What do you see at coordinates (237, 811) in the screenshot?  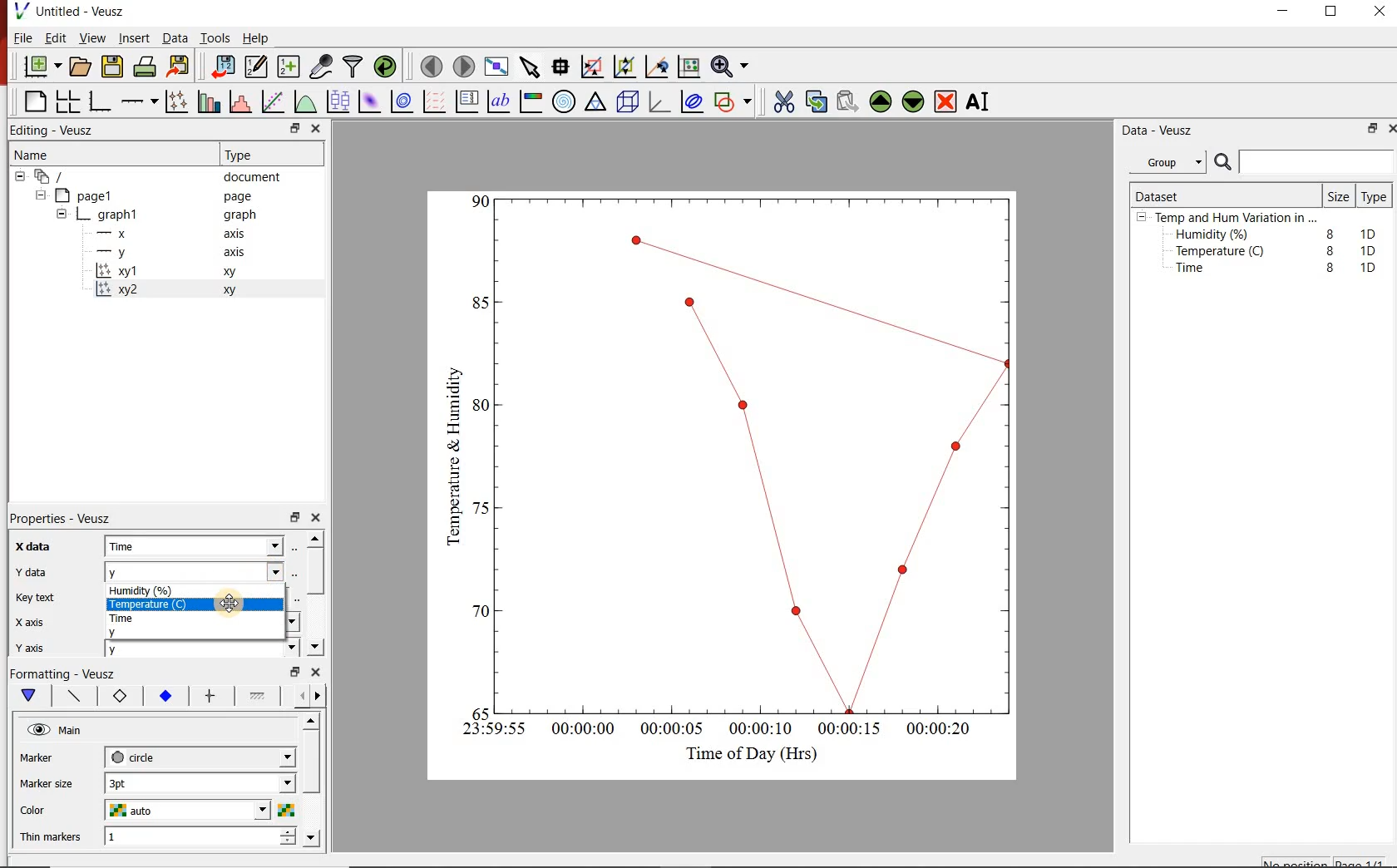 I see `Color dropdown` at bounding box center [237, 811].